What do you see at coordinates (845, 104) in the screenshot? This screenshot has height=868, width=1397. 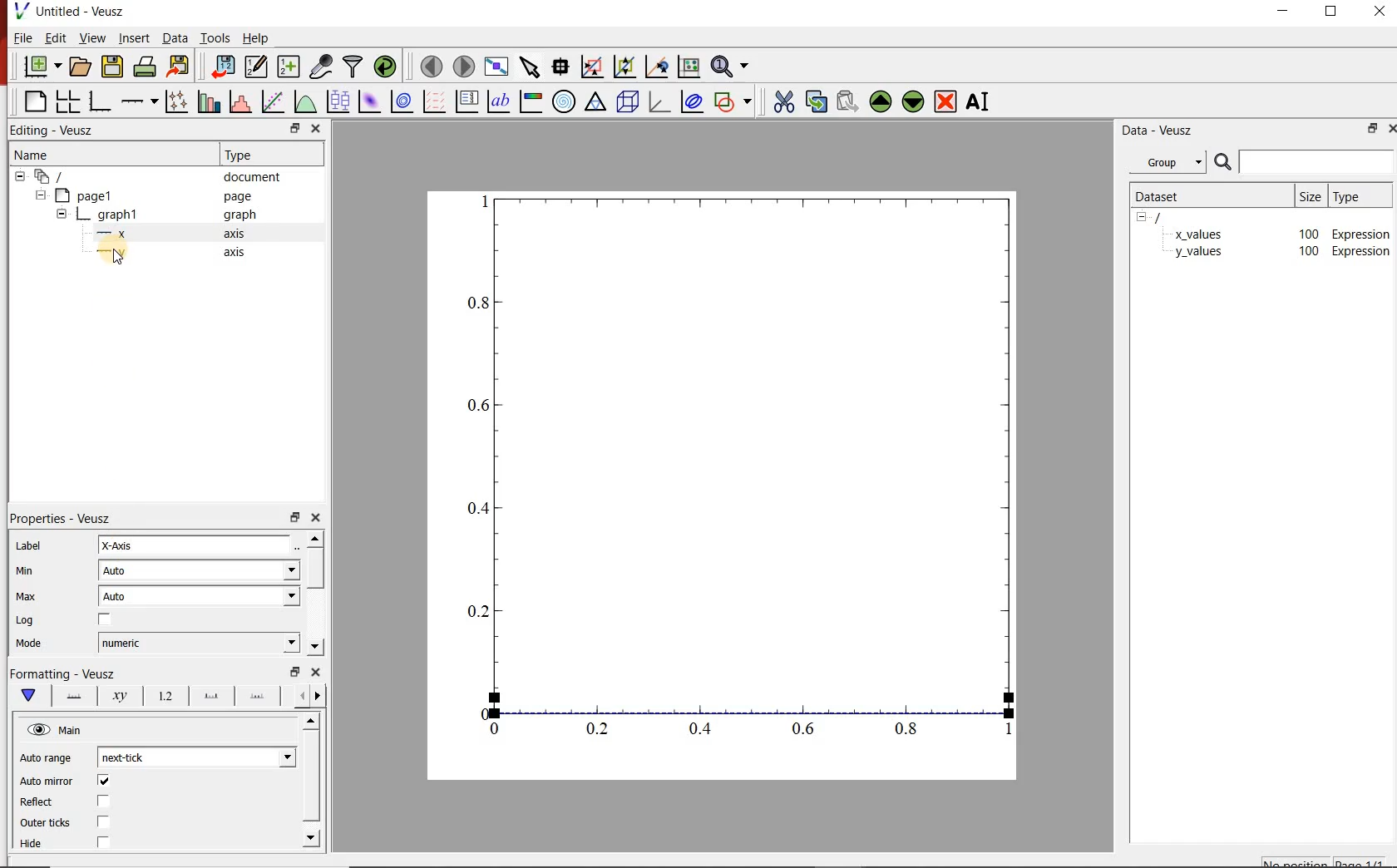 I see `paste the selected widget` at bounding box center [845, 104].